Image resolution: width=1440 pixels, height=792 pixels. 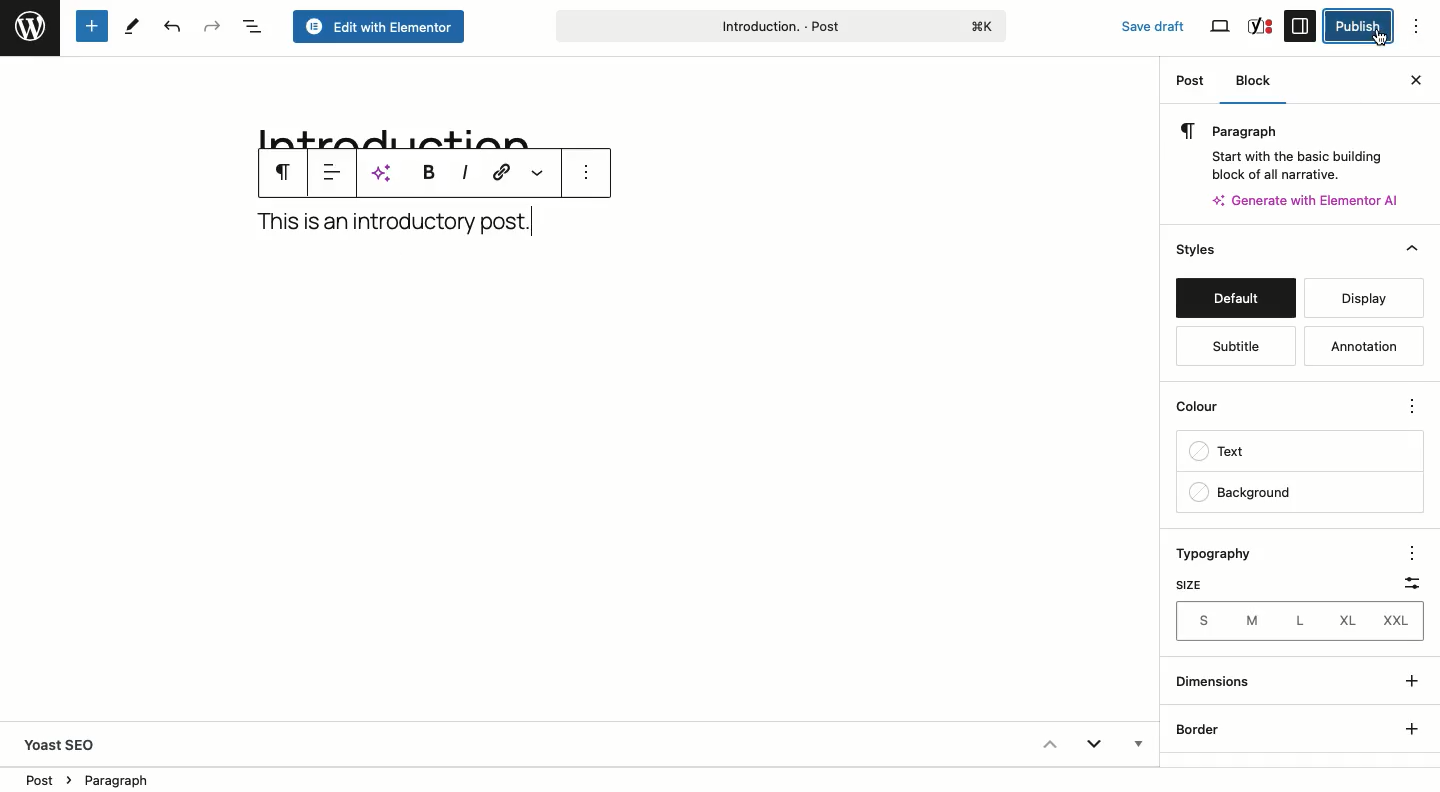 What do you see at coordinates (1298, 621) in the screenshot?
I see `Sizes` at bounding box center [1298, 621].